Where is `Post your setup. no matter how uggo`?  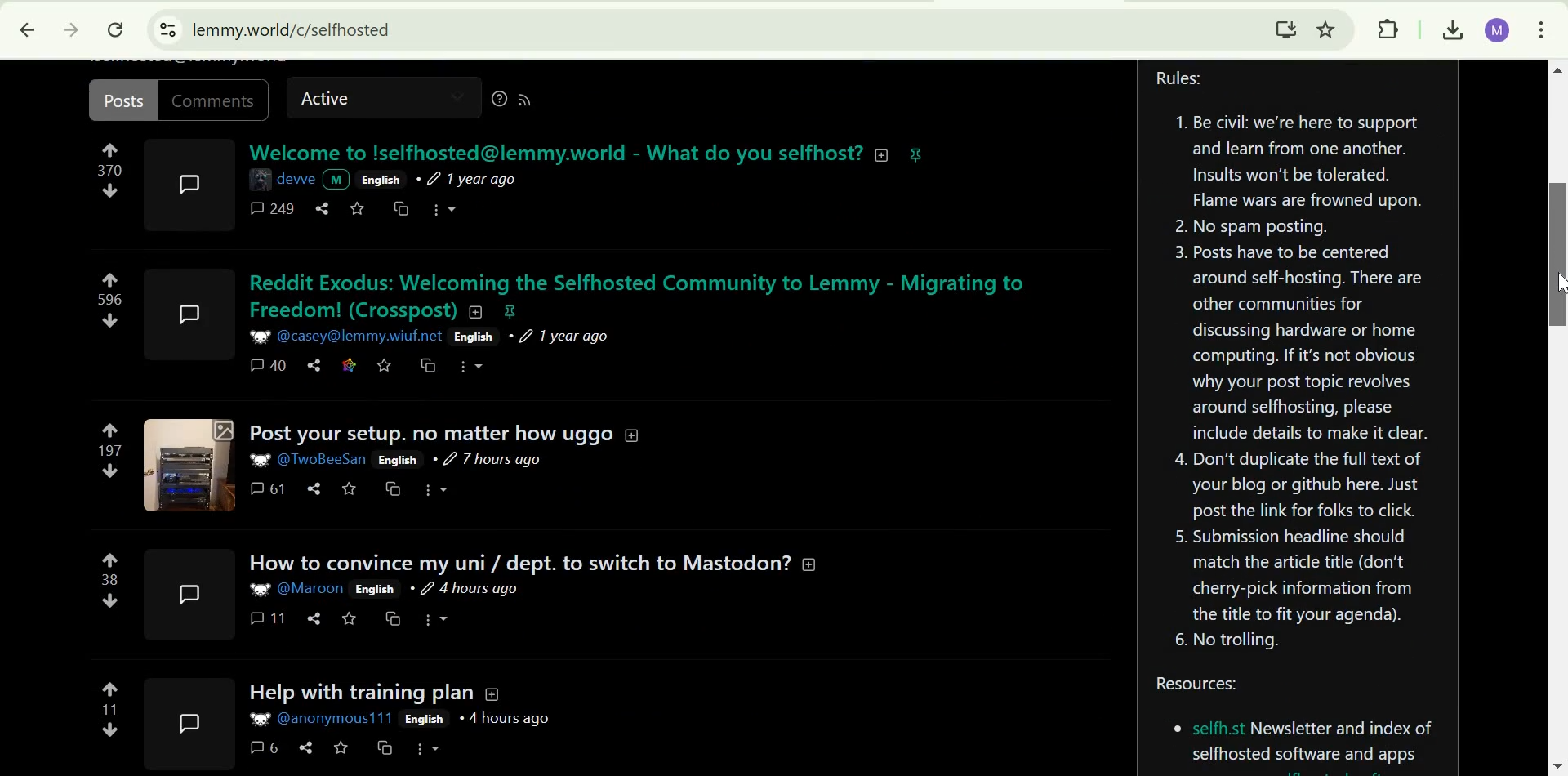 Post your setup. no matter how uggo is located at coordinates (430, 433).